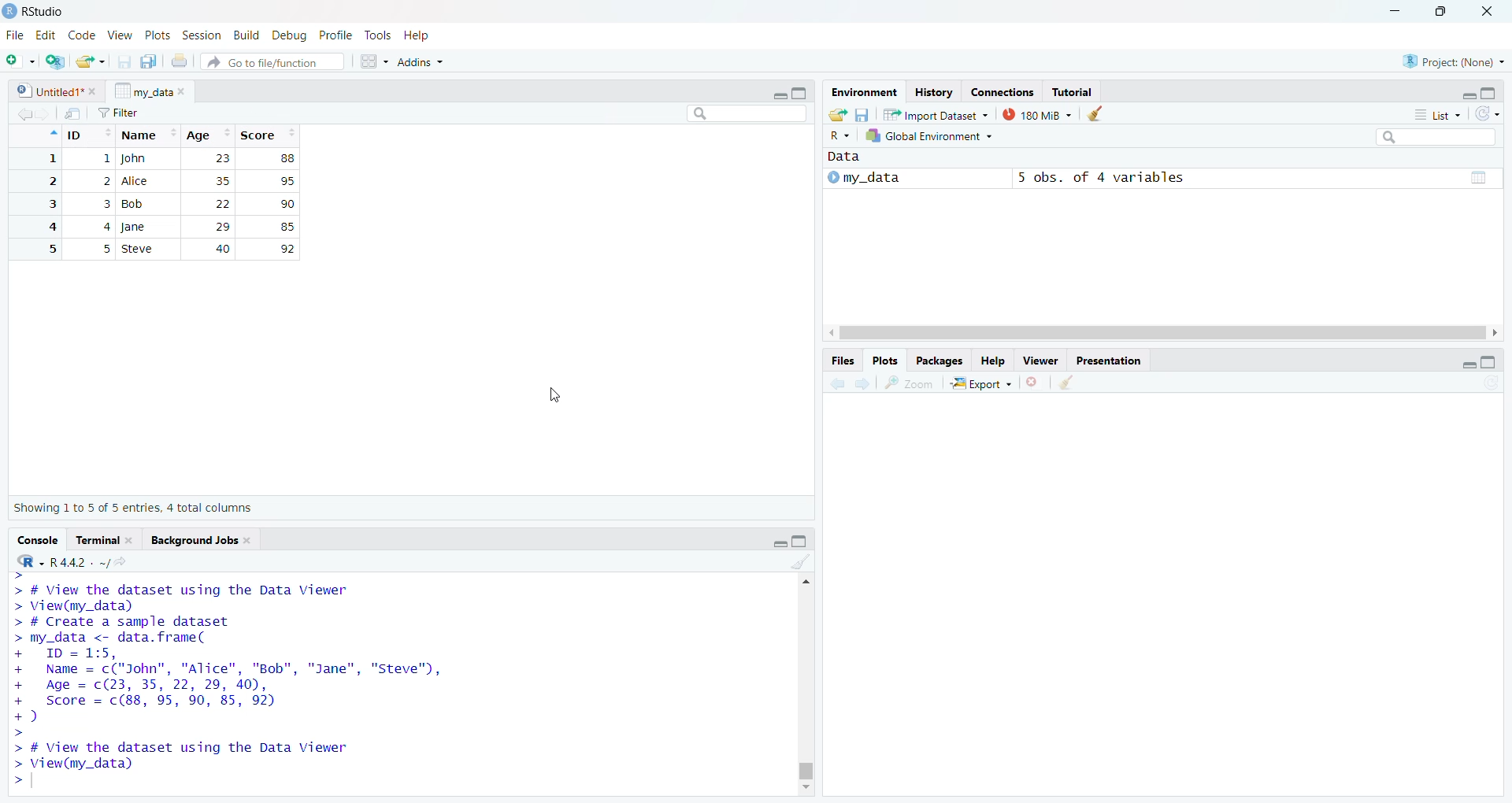 Image resolution: width=1512 pixels, height=803 pixels. What do you see at coordinates (1032, 385) in the screenshot?
I see `Close file` at bounding box center [1032, 385].